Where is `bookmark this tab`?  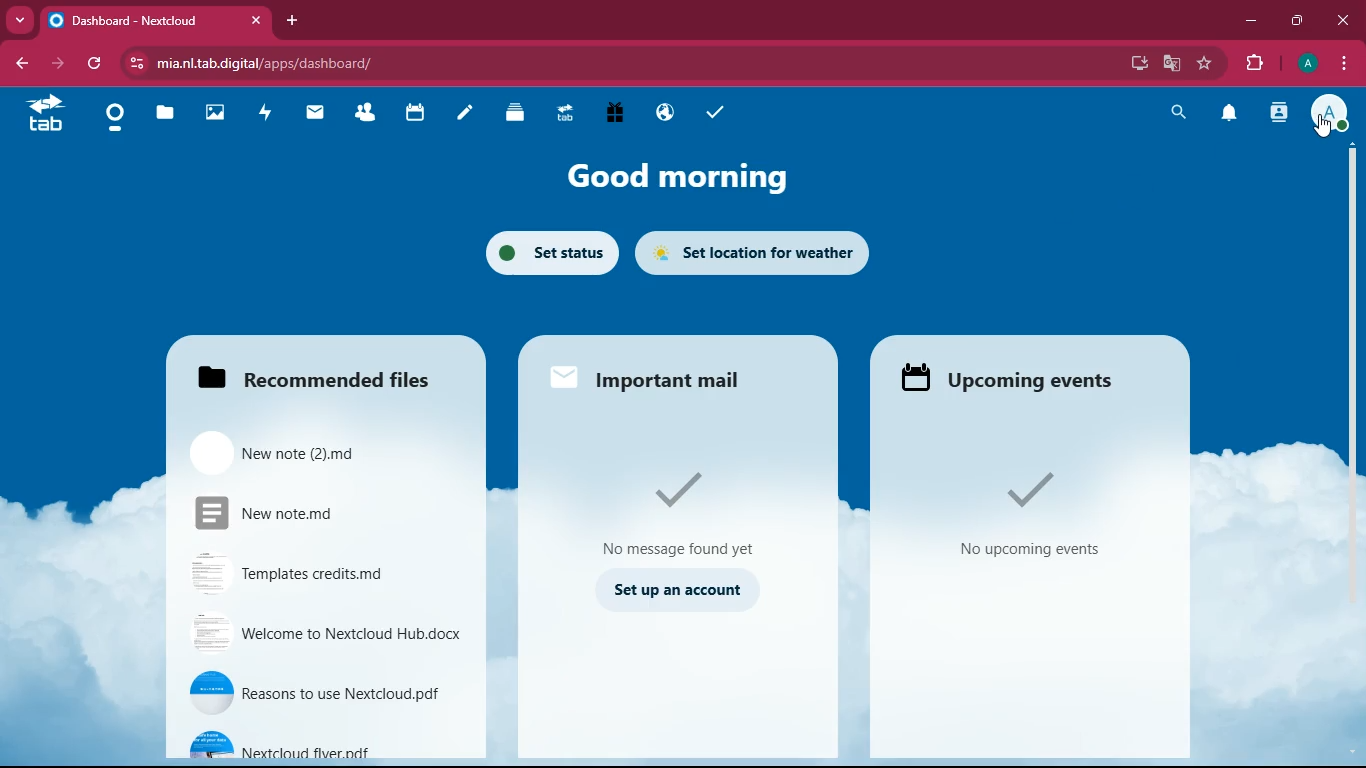 bookmark this tab is located at coordinates (1205, 61).